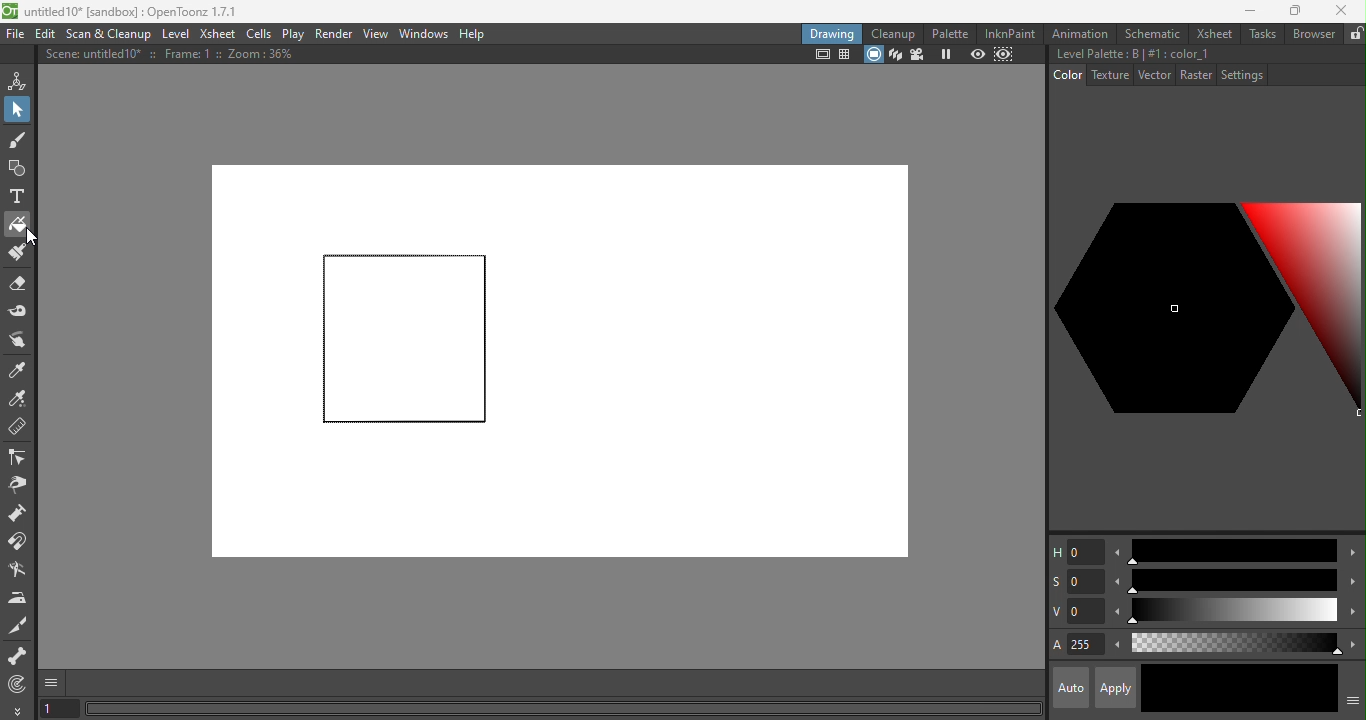 The image size is (1366, 720). What do you see at coordinates (177, 57) in the screenshot?
I see `Scene details` at bounding box center [177, 57].